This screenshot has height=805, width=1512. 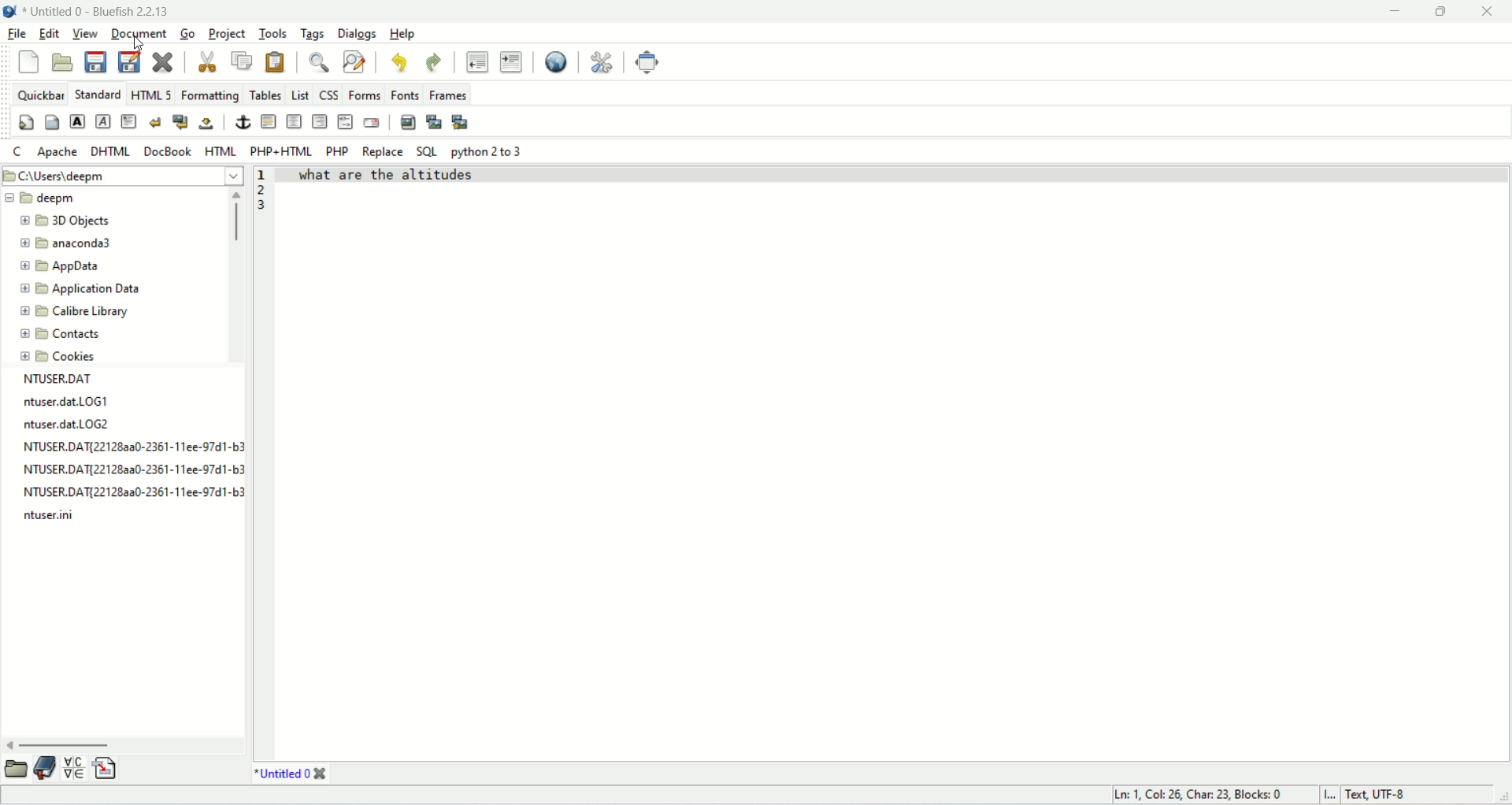 I want to click on HTML 5, so click(x=151, y=93).